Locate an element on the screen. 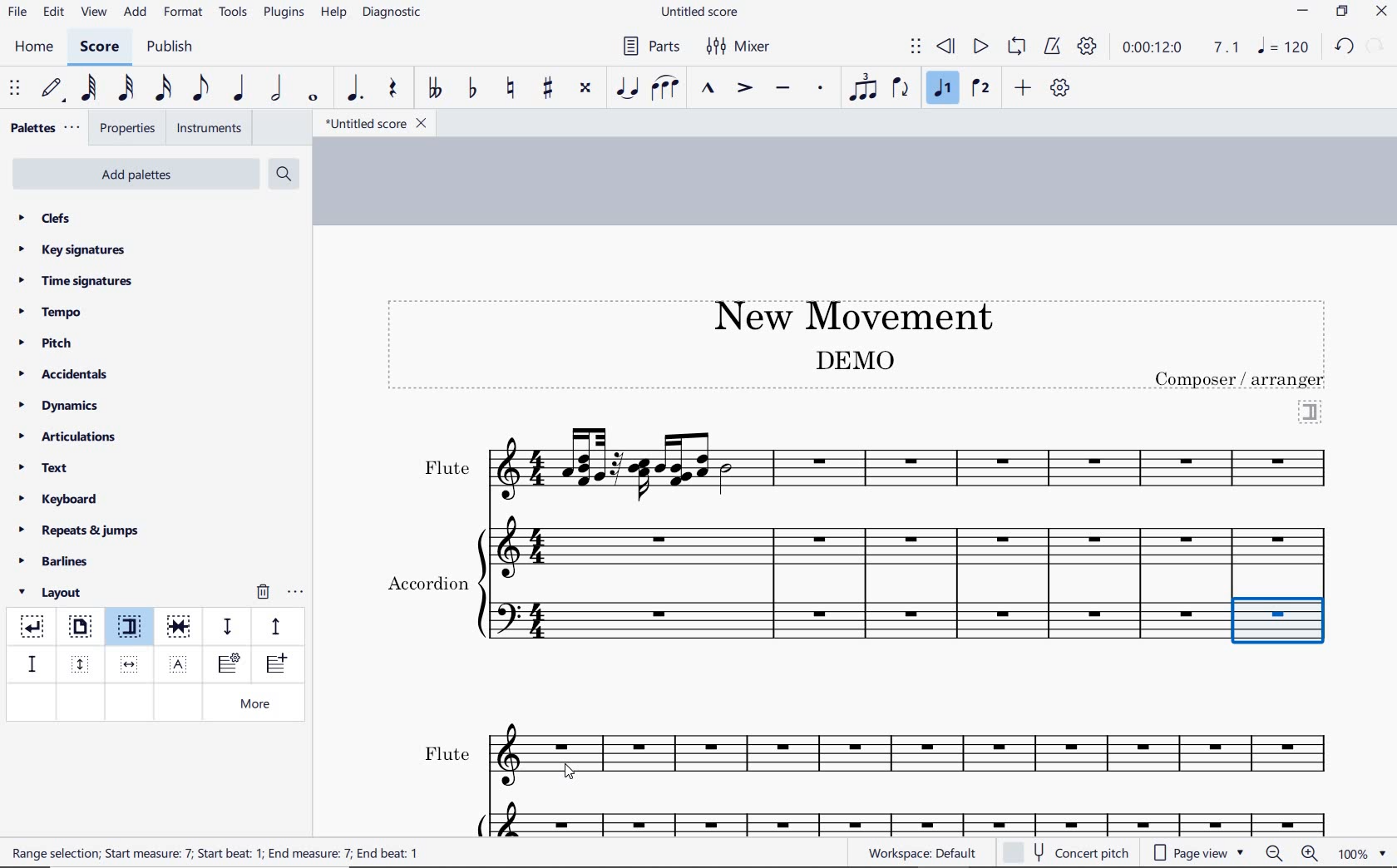 This screenshot has width=1397, height=868. tenuto is located at coordinates (782, 89).